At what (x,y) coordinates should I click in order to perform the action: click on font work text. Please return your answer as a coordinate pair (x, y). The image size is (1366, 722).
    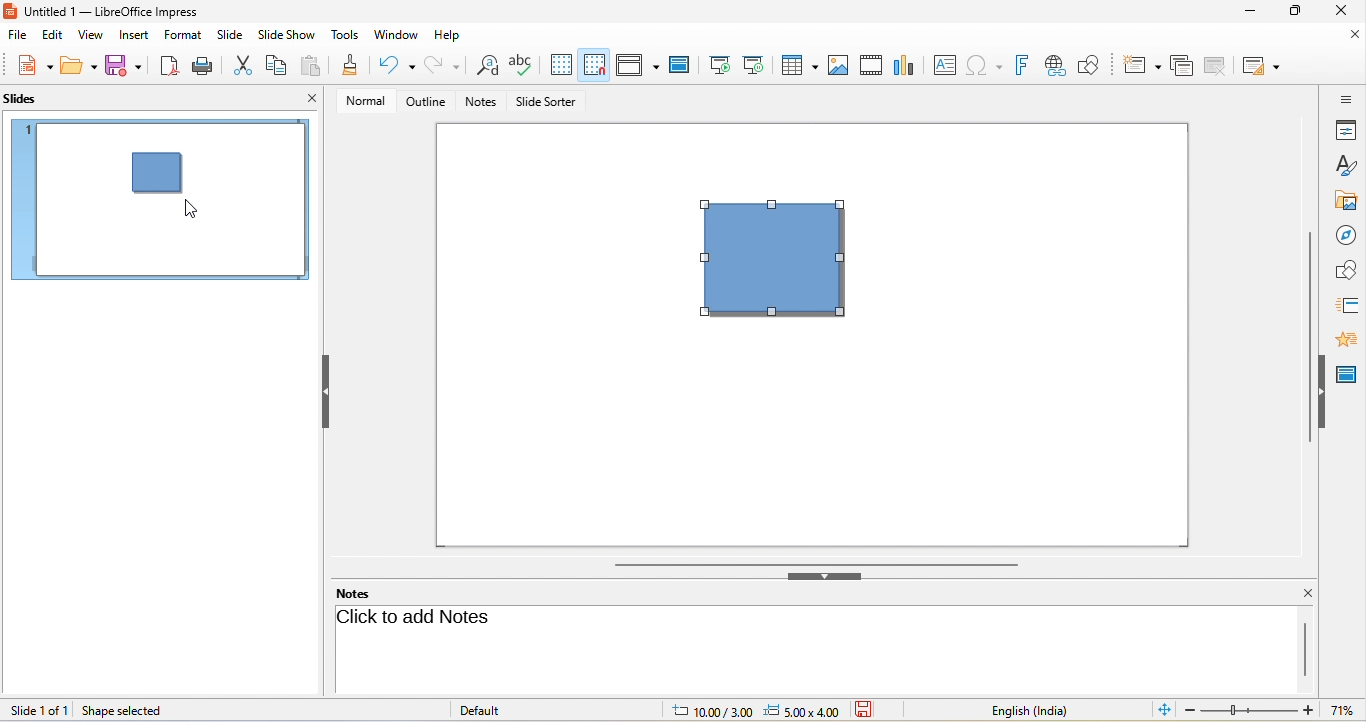
    Looking at the image, I should click on (1026, 67).